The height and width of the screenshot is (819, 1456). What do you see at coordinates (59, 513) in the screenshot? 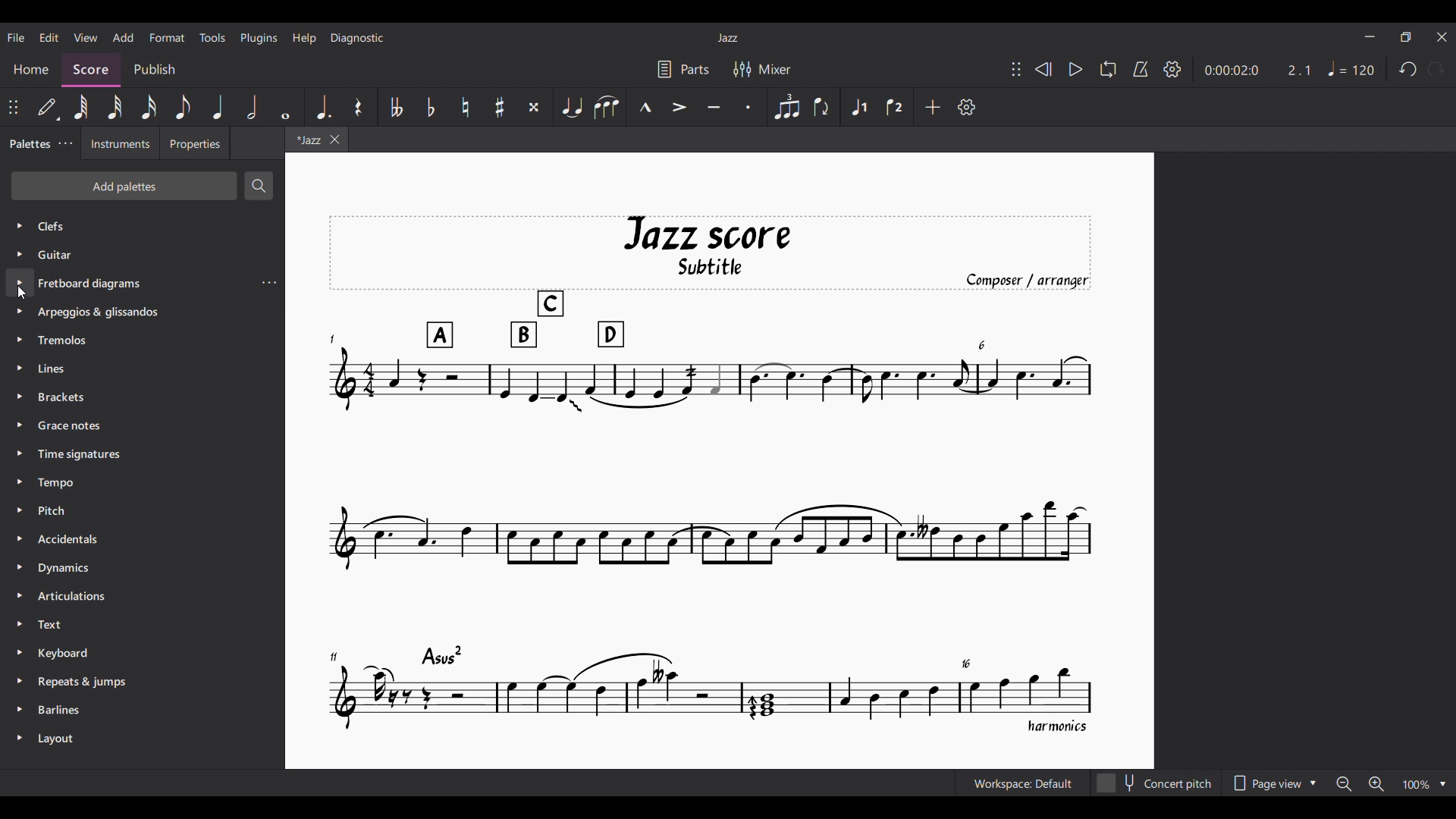
I see `Pitch` at bounding box center [59, 513].